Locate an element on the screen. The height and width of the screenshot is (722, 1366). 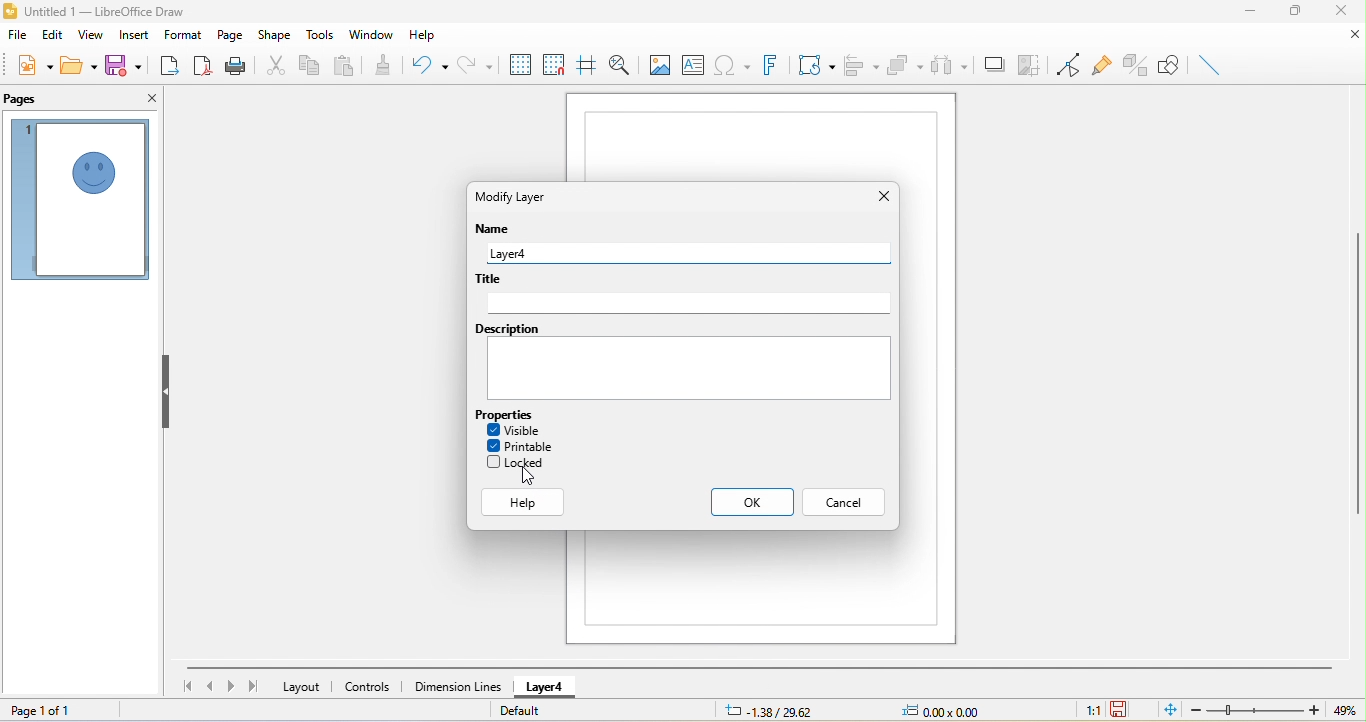
0.00x0.00 is located at coordinates (950, 709).